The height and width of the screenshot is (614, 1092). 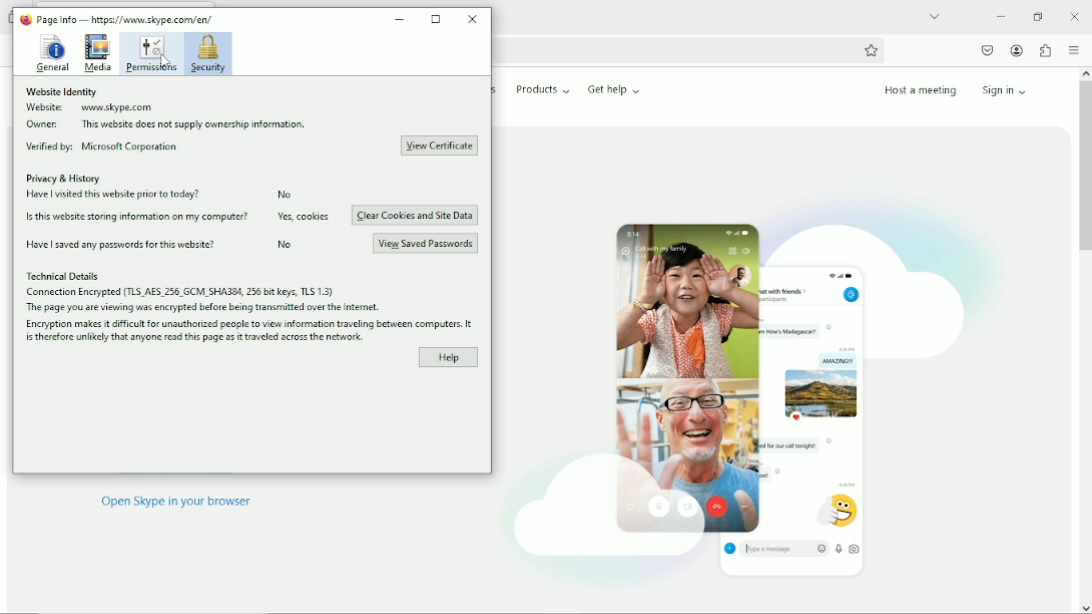 What do you see at coordinates (176, 505) in the screenshot?
I see `Open skype in your browser` at bounding box center [176, 505].